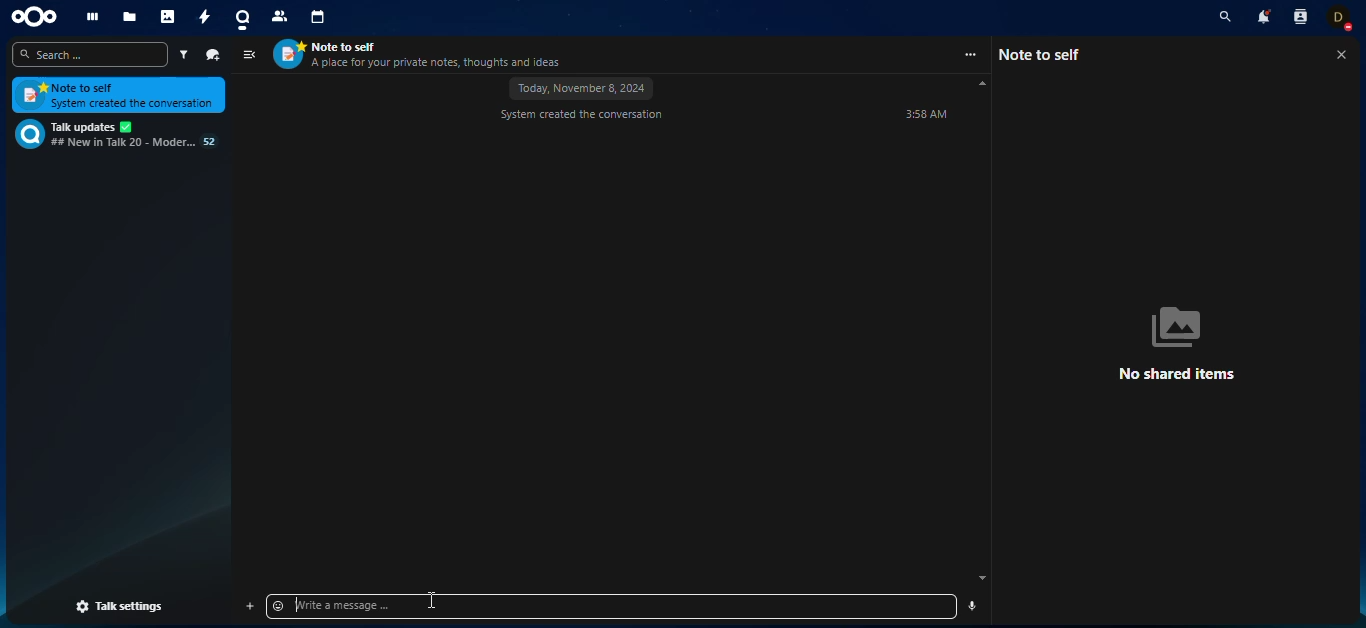 This screenshot has width=1366, height=628. Describe the element at coordinates (582, 89) in the screenshot. I see `november 8, 2024` at that location.